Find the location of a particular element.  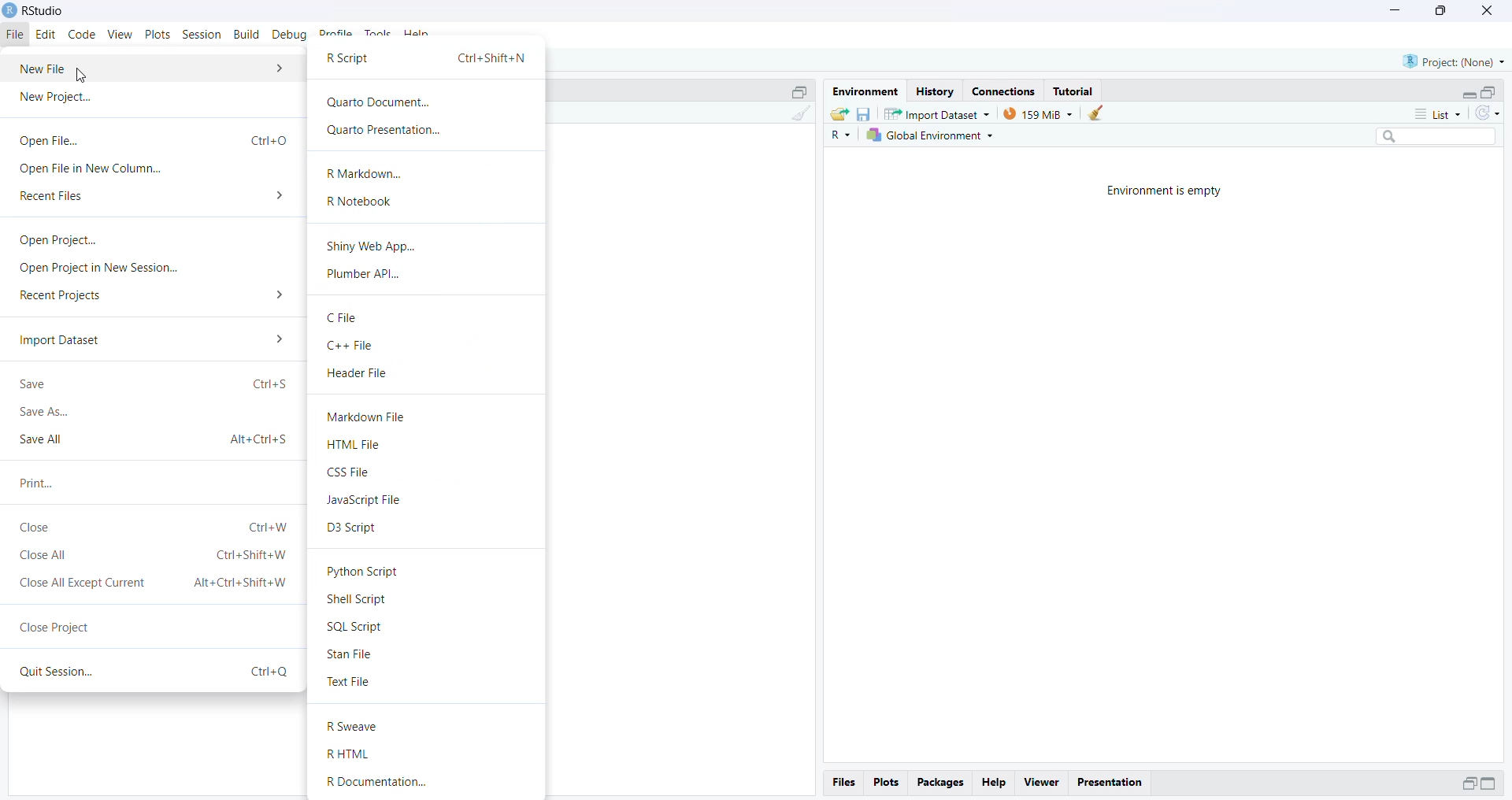

JavaScript File is located at coordinates (371, 501).